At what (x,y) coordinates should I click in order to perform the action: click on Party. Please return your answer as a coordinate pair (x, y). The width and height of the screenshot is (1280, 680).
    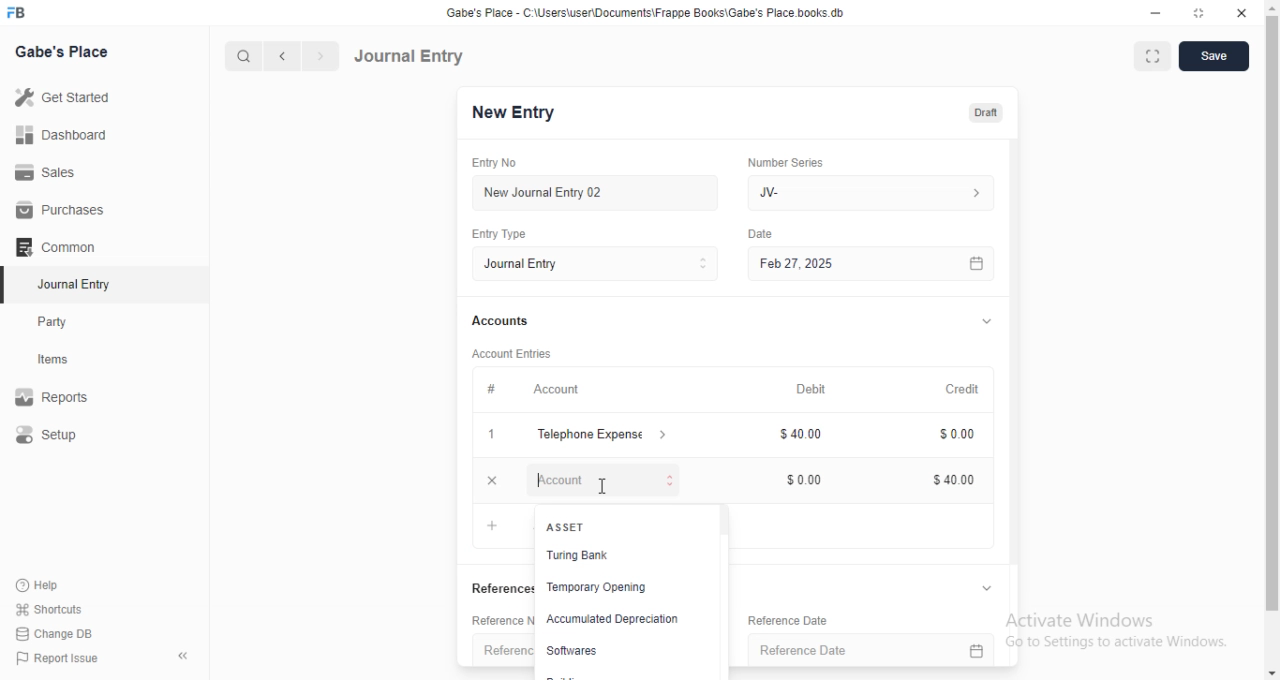
    Looking at the image, I should click on (54, 322).